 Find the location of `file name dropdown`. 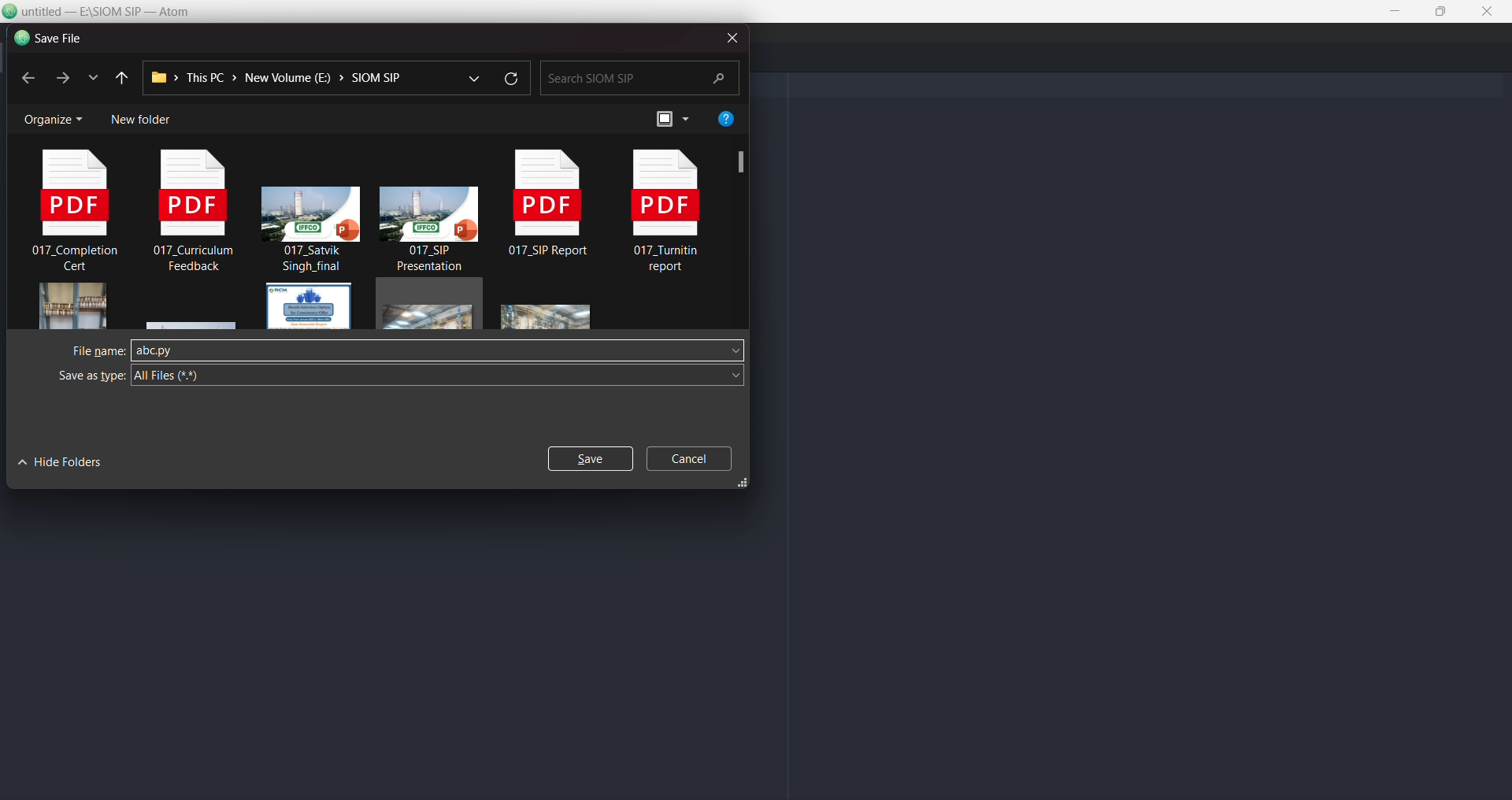

file name dropdown is located at coordinates (734, 351).